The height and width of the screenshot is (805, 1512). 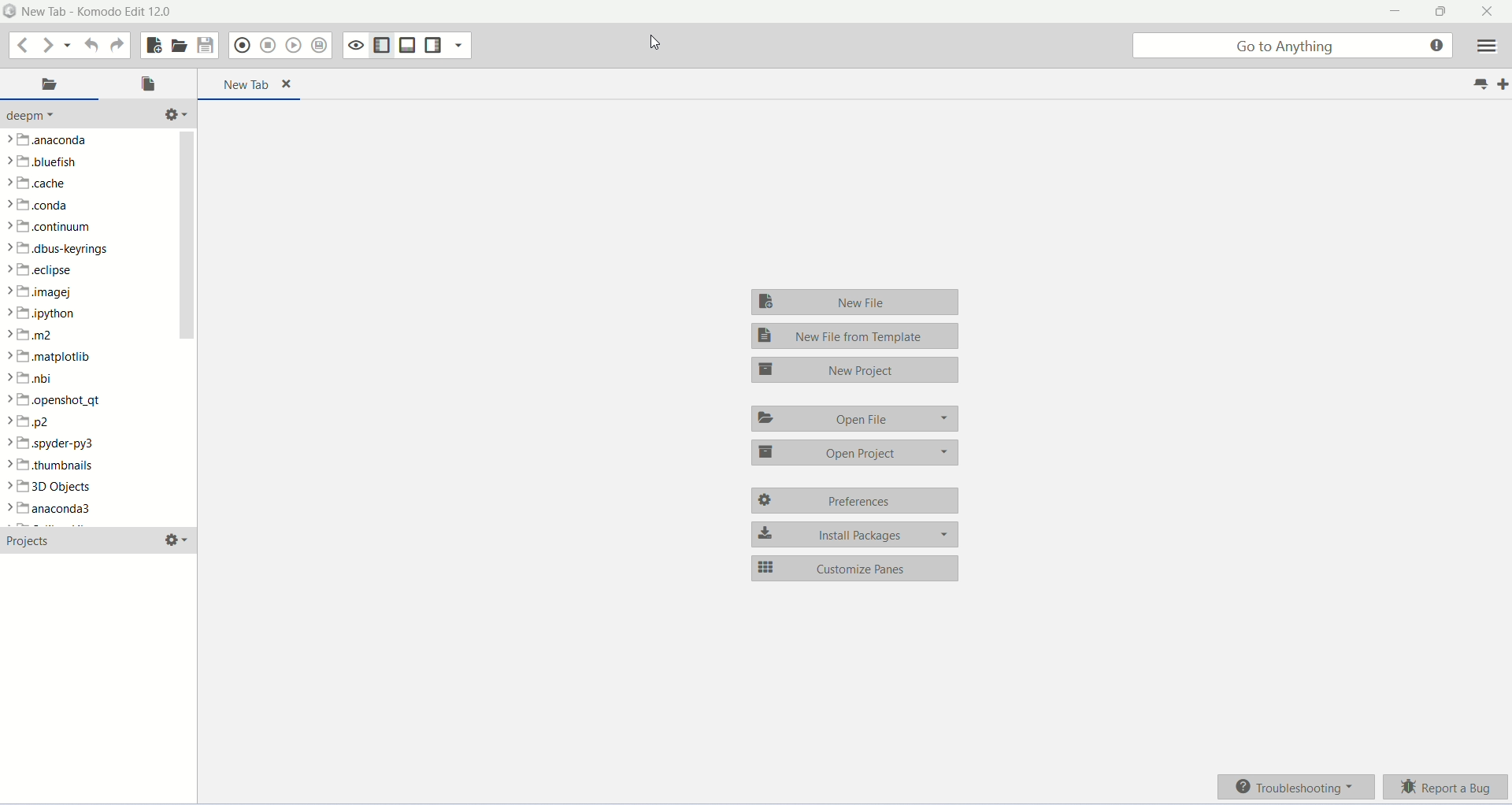 I want to click on save macro to tollbox, so click(x=318, y=46).